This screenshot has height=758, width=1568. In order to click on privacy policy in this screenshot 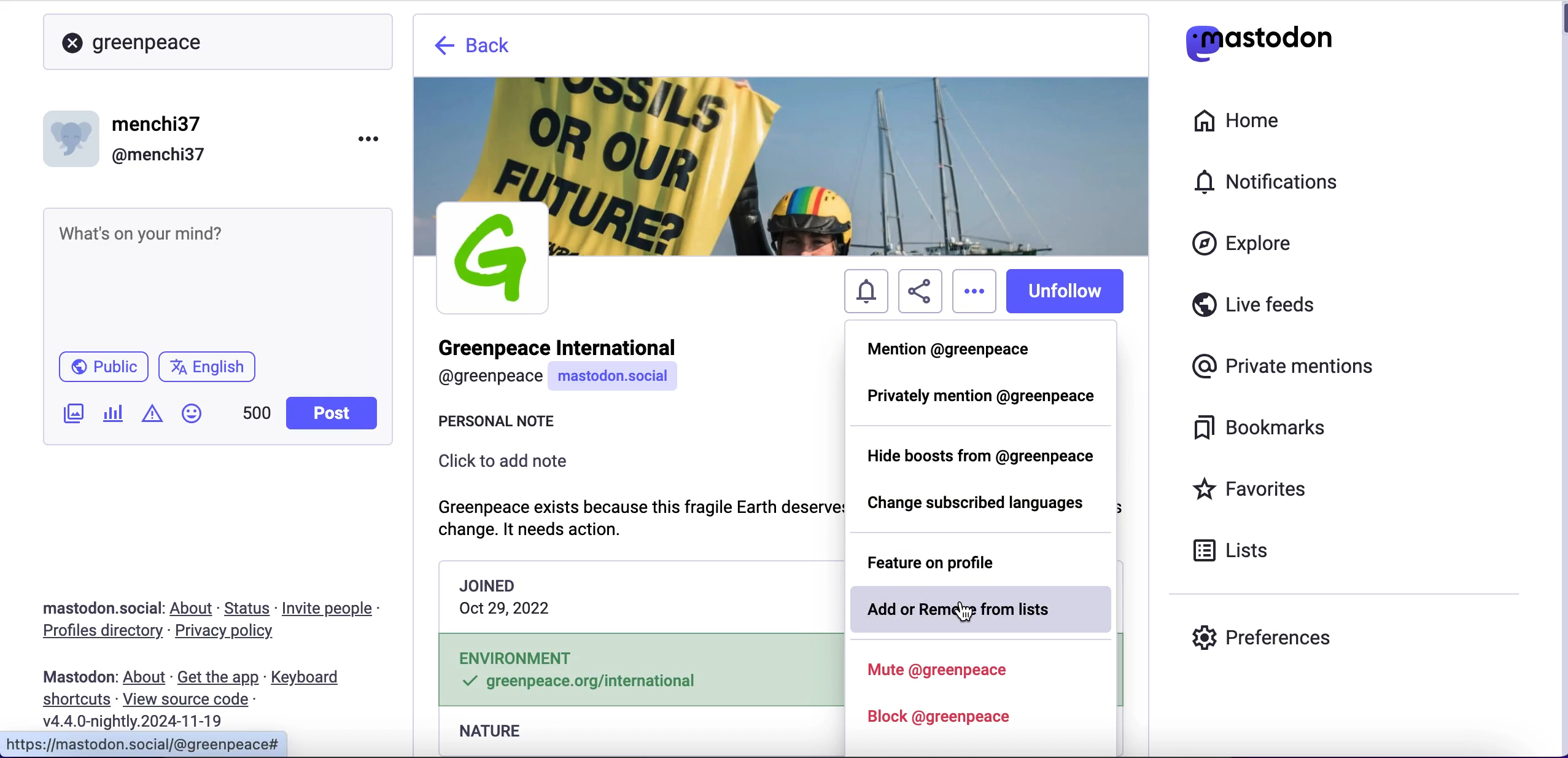, I will do `click(235, 633)`.